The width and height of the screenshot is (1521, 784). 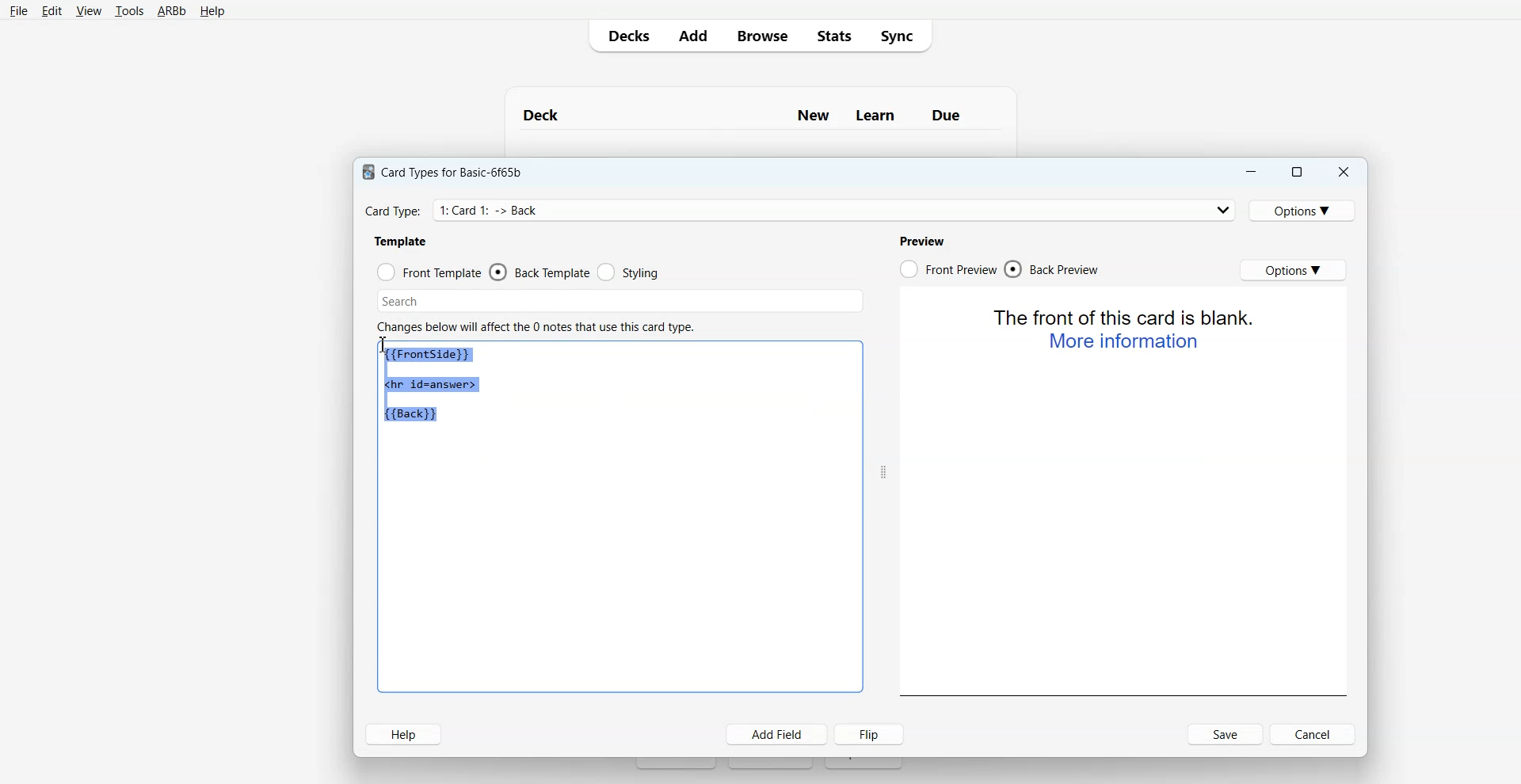 I want to click on Options, so click(x=1306, y=209).